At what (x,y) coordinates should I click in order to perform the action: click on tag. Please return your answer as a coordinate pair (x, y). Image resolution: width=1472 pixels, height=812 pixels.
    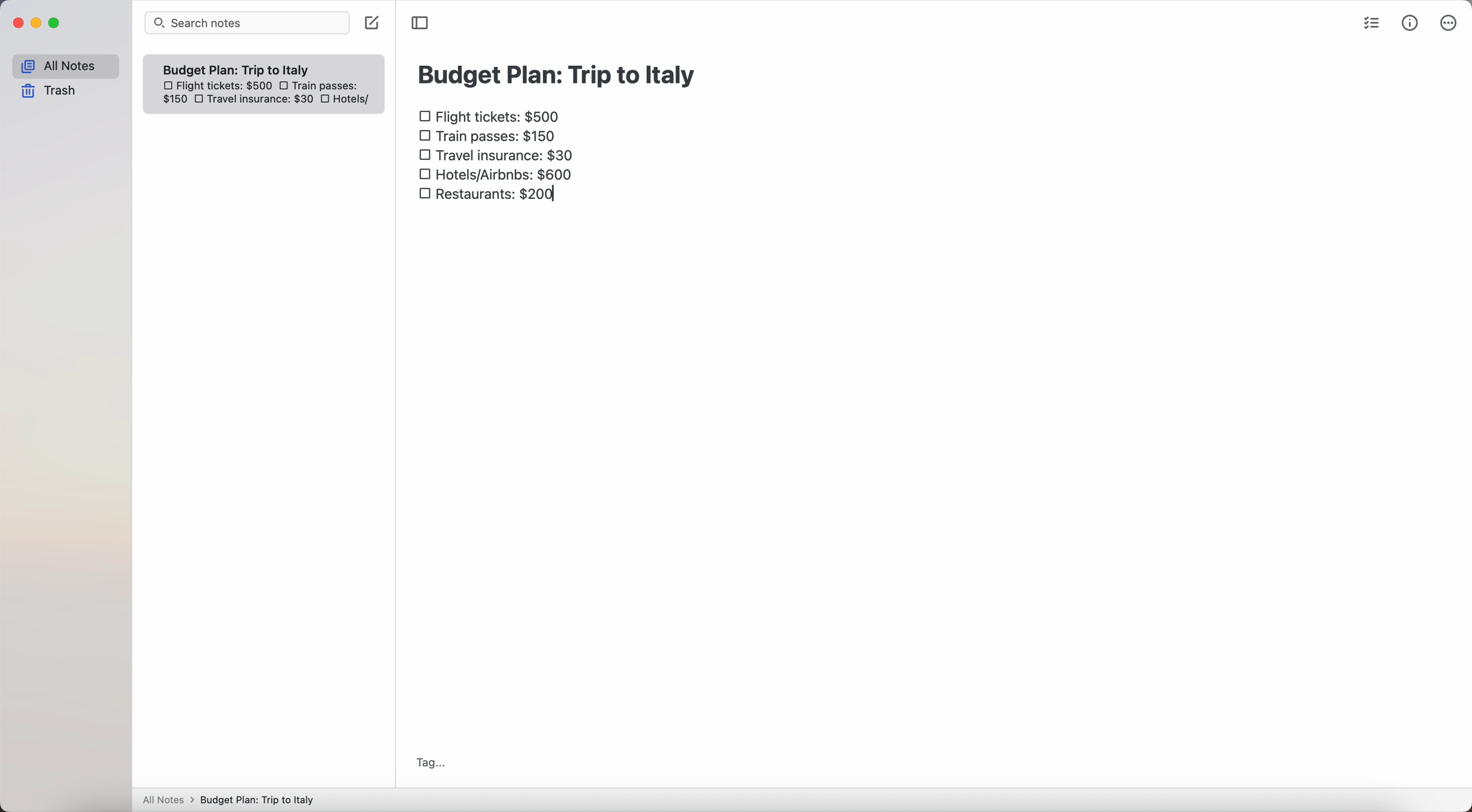
    Looking at the image, I should click on (431, 763).